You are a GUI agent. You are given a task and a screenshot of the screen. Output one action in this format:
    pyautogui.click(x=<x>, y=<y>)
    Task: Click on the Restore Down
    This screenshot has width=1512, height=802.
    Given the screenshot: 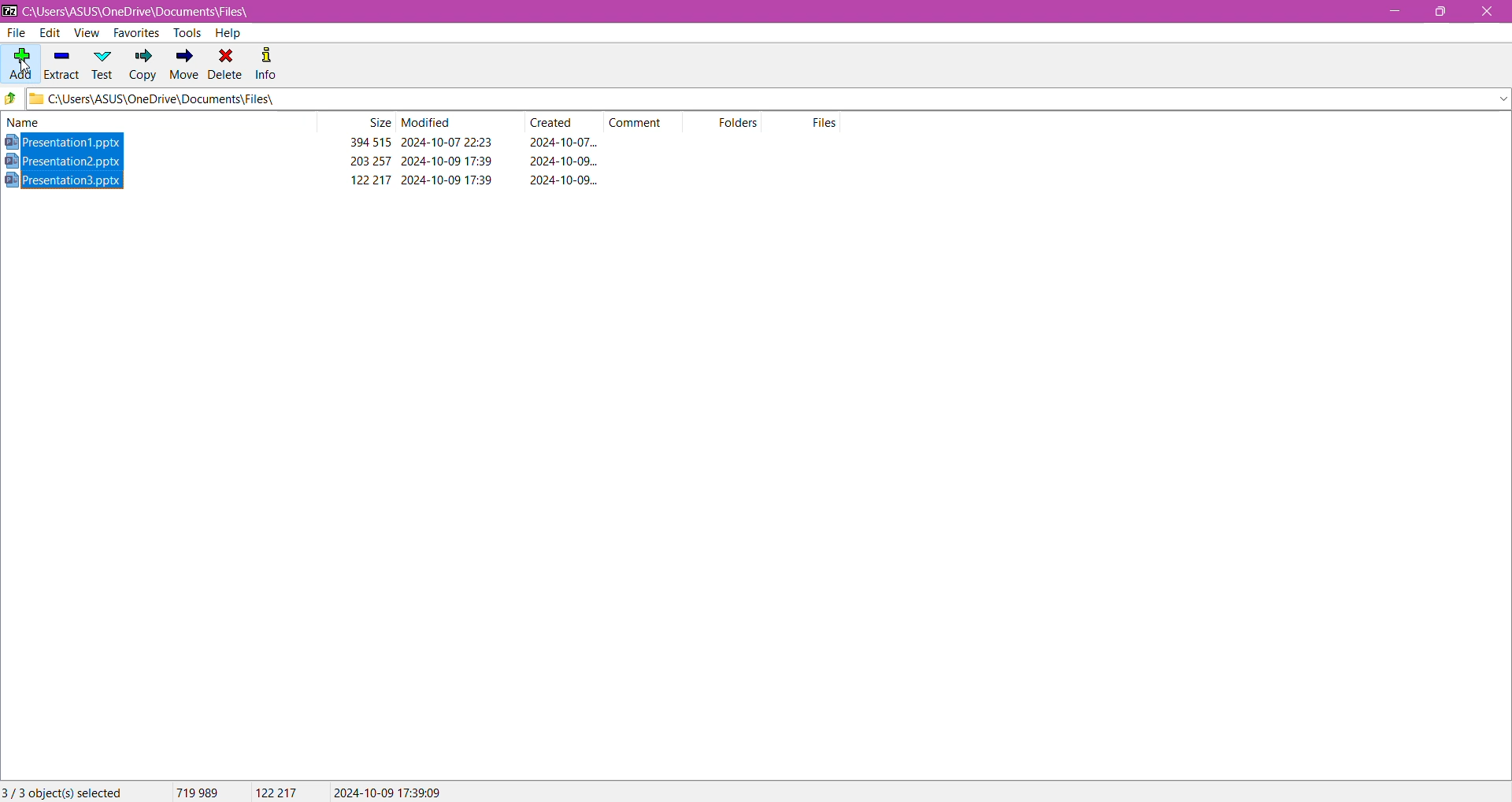 What is the action you would take?
    pyautogui.click(x=1446, y=11)
    